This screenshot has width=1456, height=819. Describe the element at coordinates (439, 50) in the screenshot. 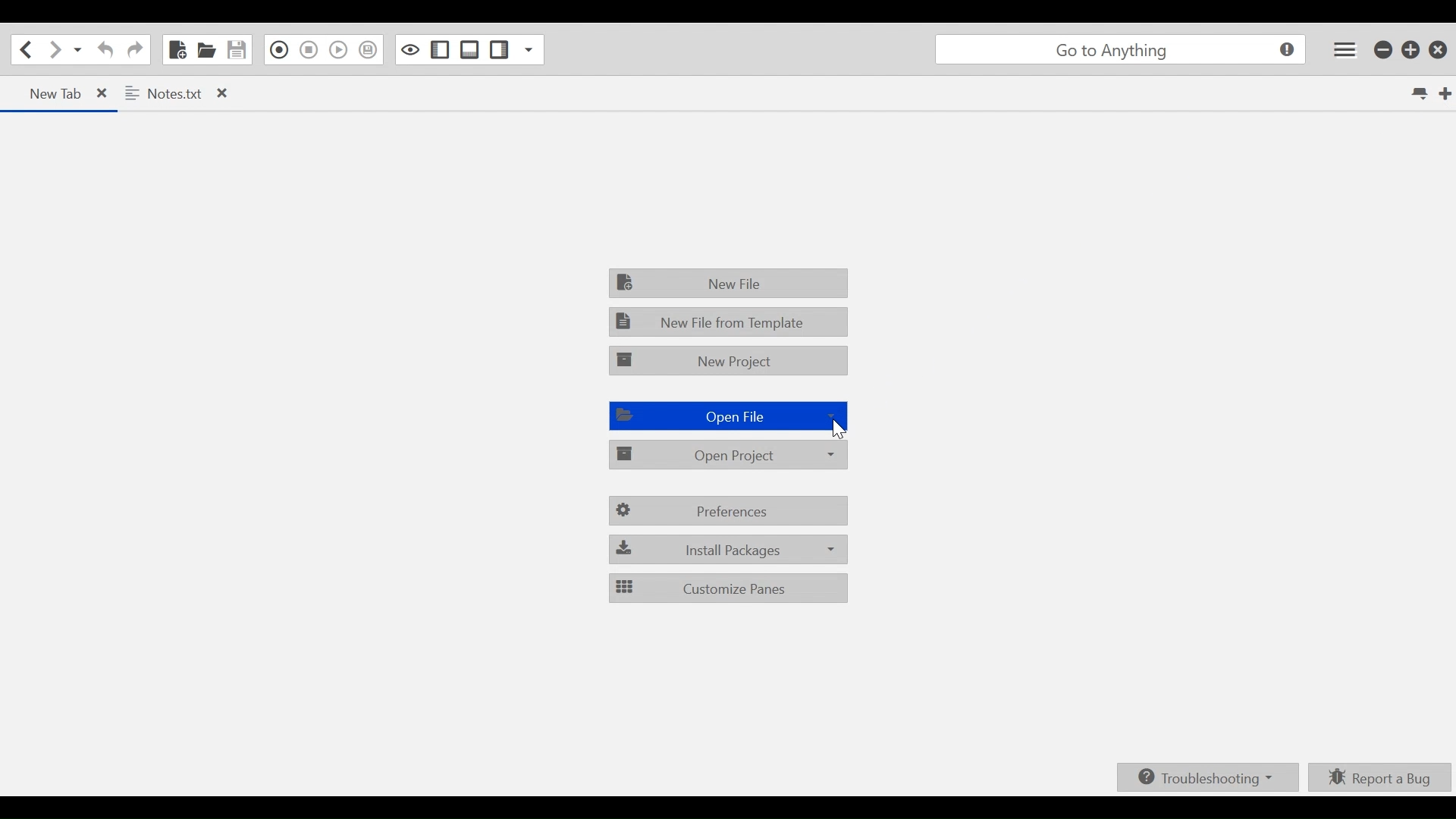

I see `Show/Hide Left Pane` at that location.